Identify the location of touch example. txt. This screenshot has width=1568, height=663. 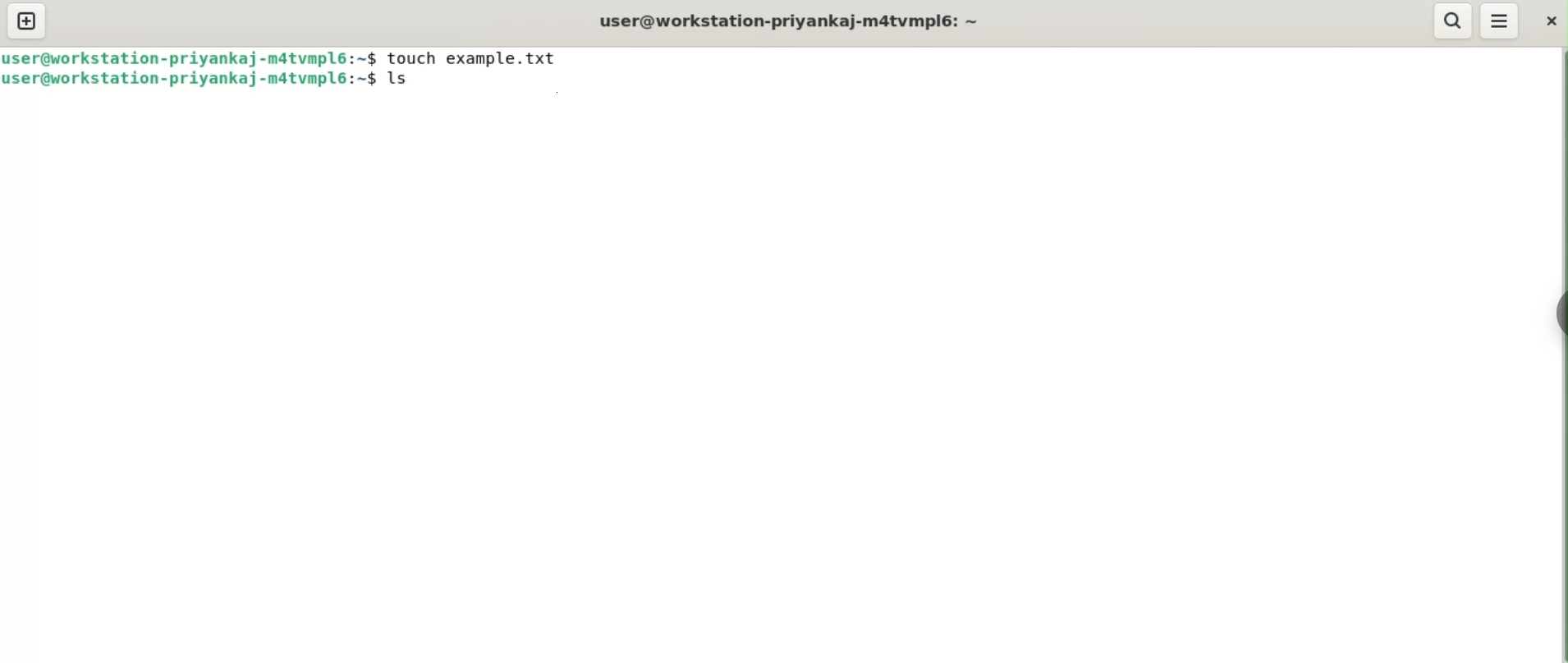
(470, 57).